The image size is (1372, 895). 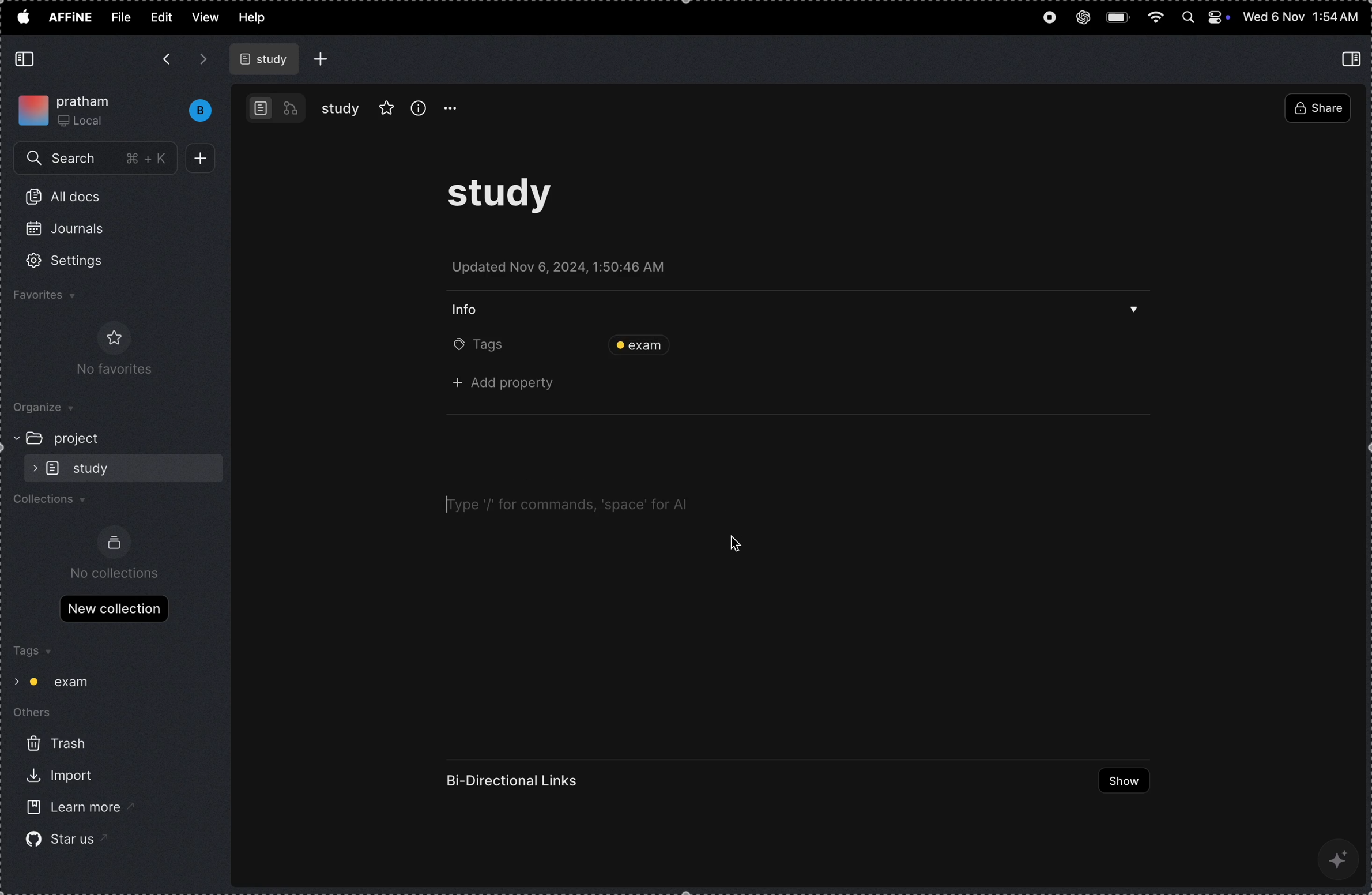 What do you see at coordinates (1301, 17) in the screenshot?
I see `time and date` at bounding box center [1301, 17].